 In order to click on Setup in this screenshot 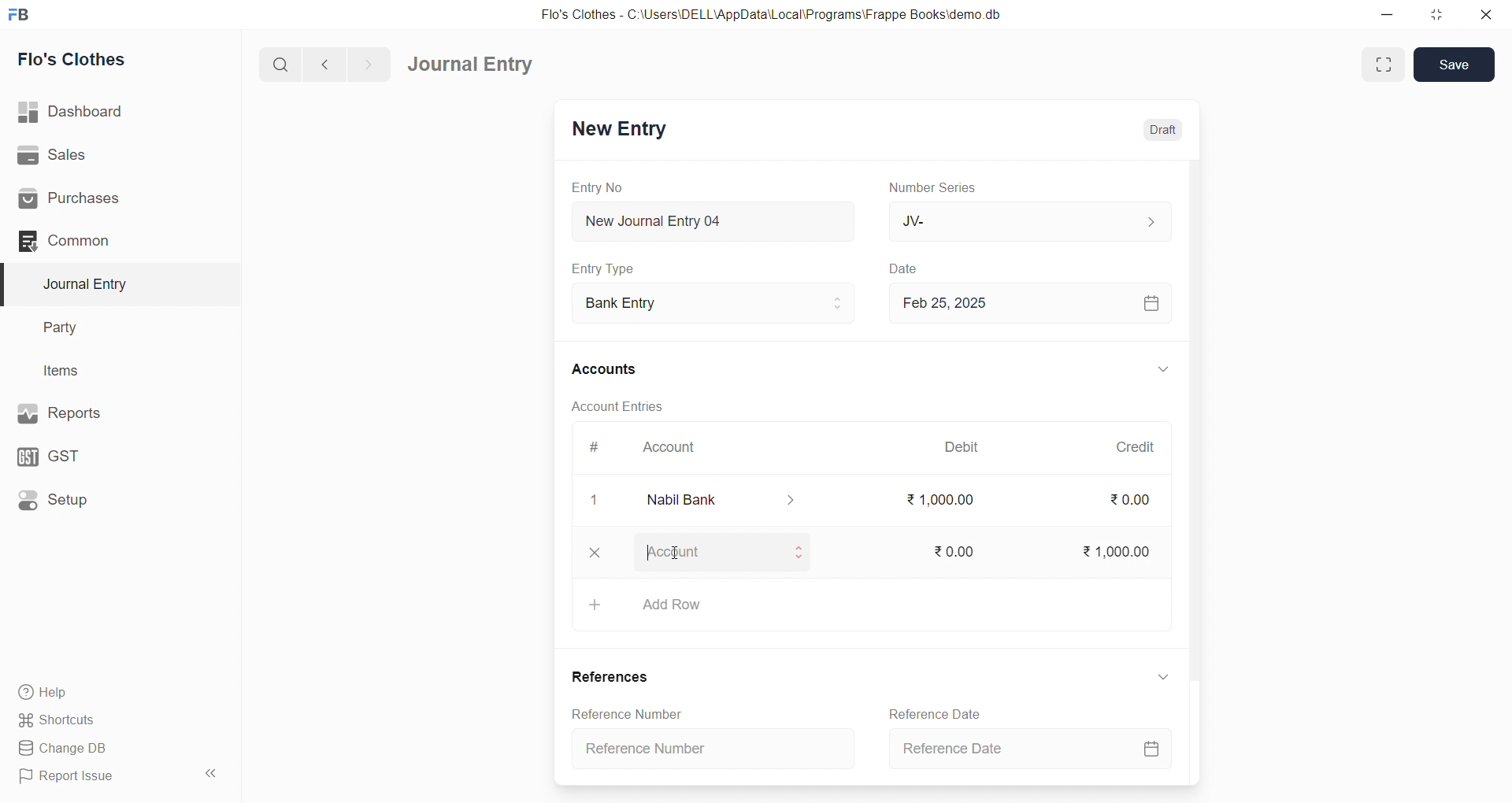, I will do `click(111, 498)`.